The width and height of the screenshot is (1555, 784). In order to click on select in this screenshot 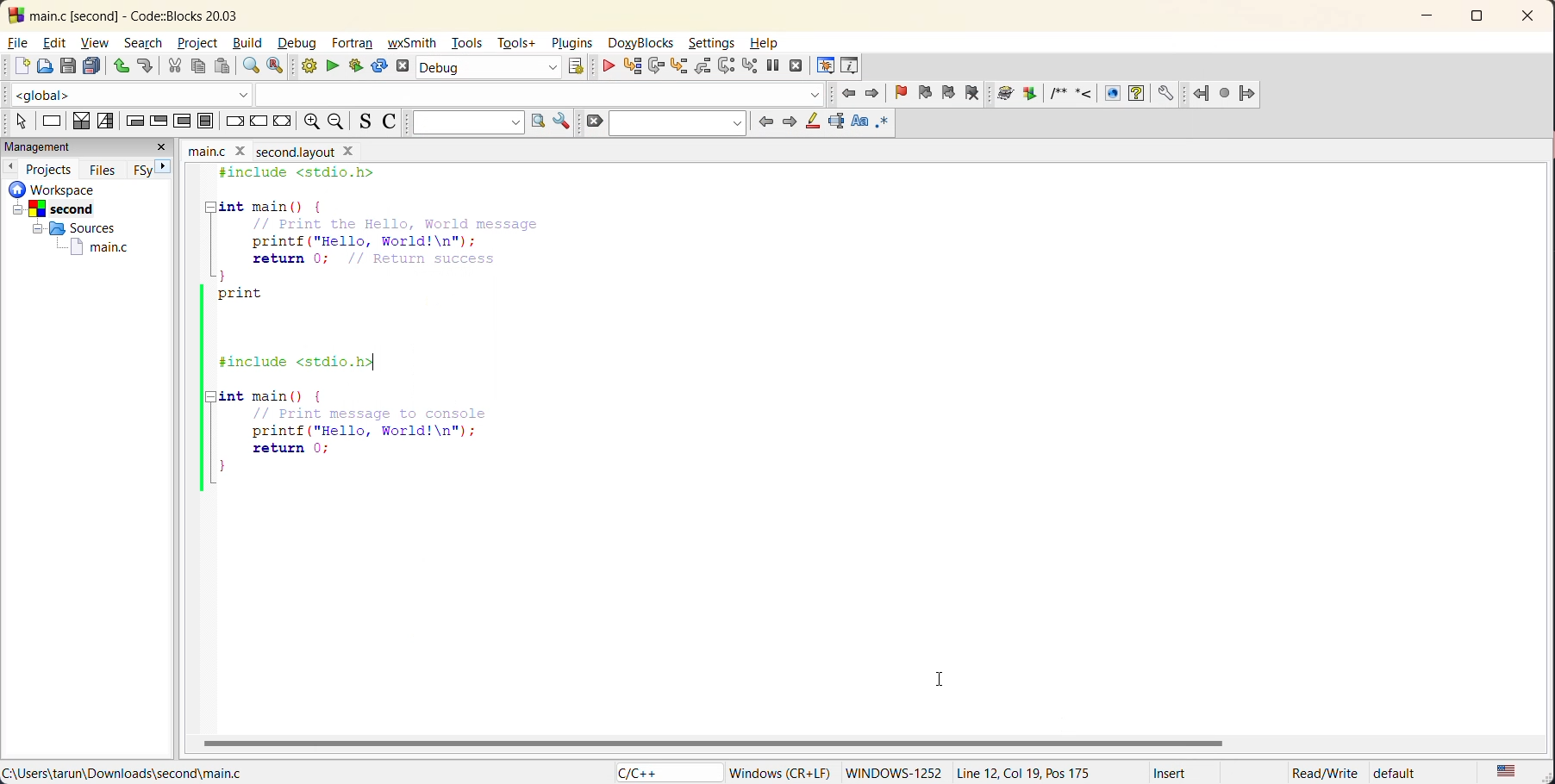, I will do `click(21, 121)`.